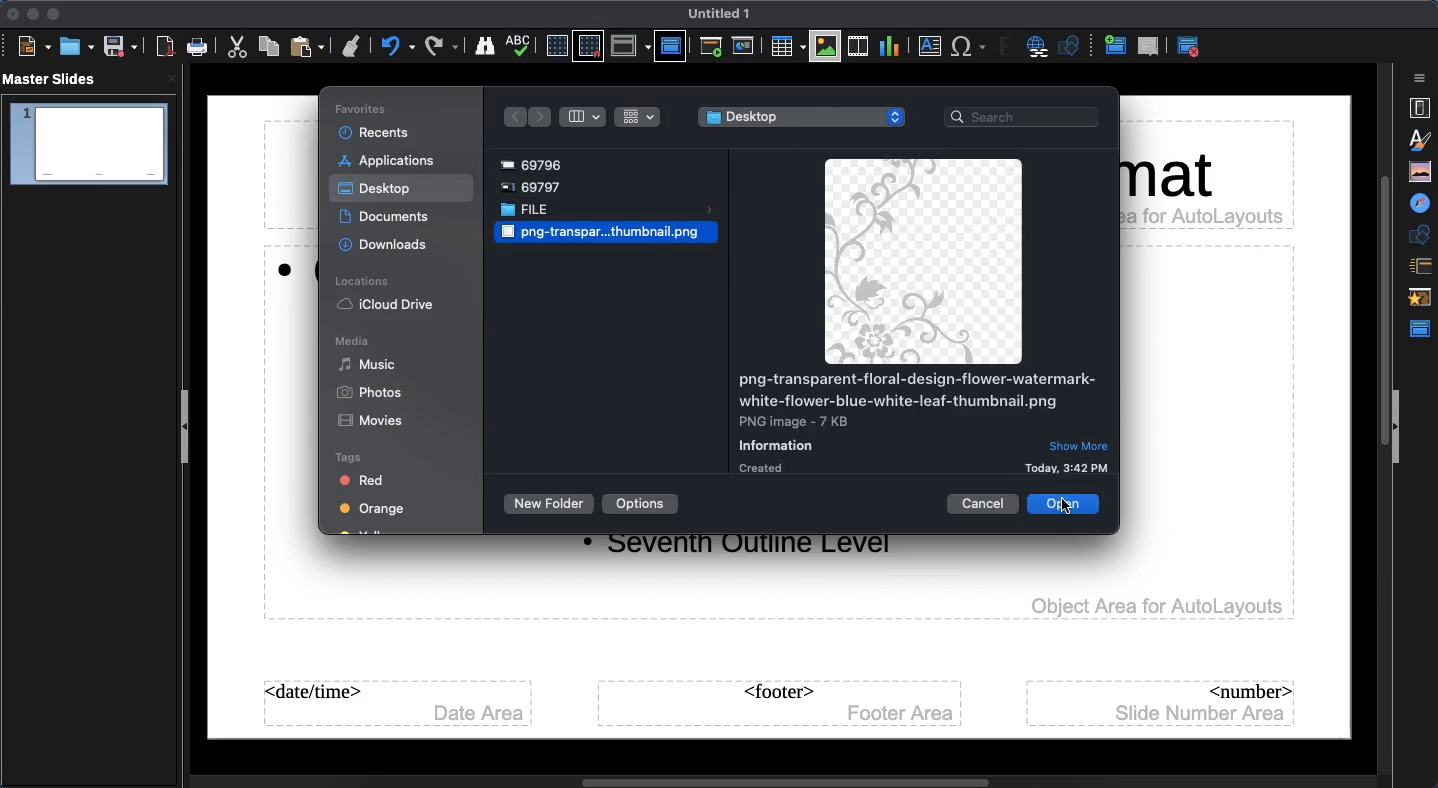 The height and width of the screenshot is (788, 1438). Describe the element at coordinates (921, 261) in the screenshot. I see `Image` at that location.